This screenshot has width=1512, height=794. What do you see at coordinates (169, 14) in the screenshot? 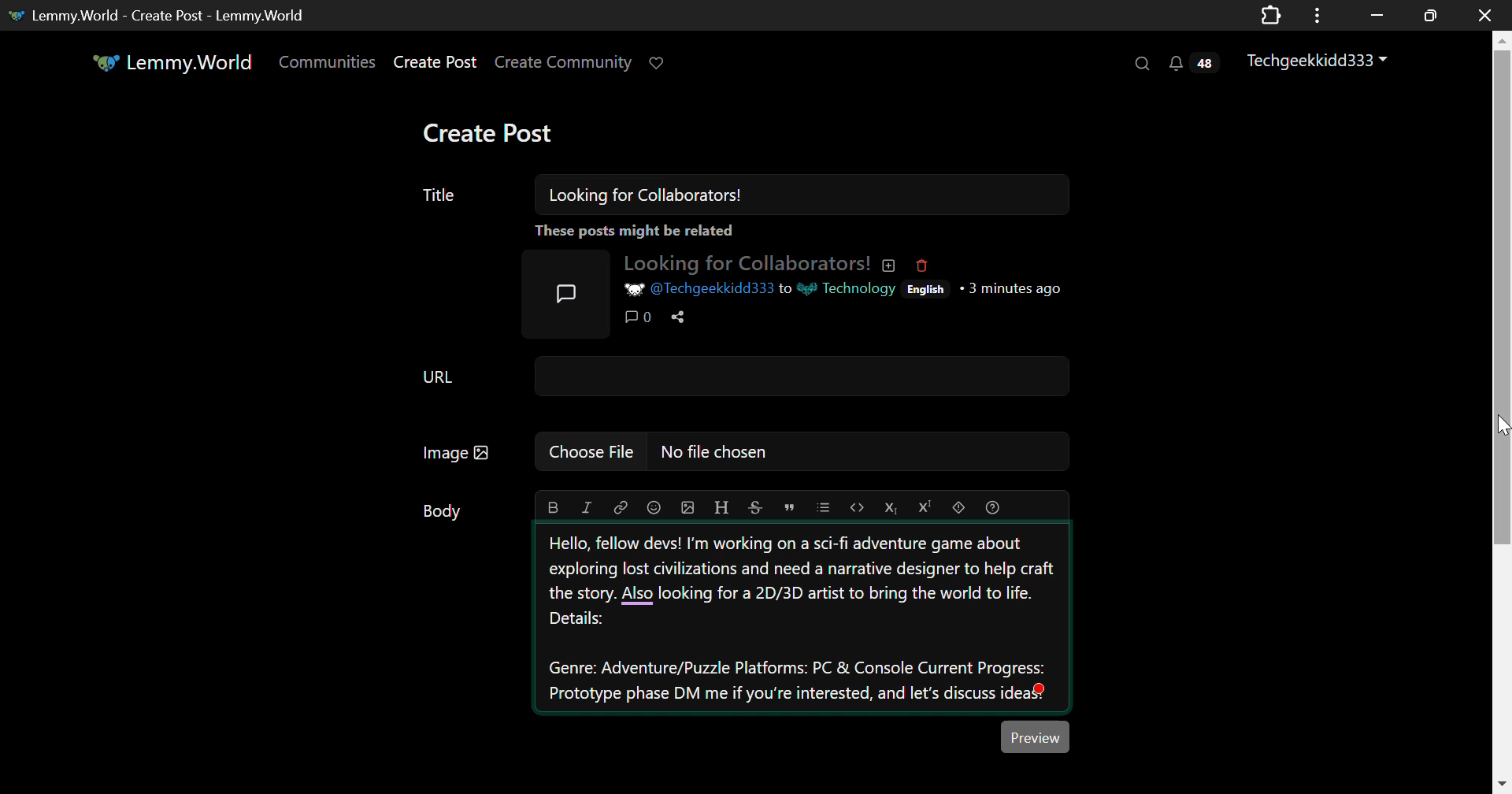
I see `Lemmy.World - Create Post - Lemmy.World` at bounding box center [169, 14].